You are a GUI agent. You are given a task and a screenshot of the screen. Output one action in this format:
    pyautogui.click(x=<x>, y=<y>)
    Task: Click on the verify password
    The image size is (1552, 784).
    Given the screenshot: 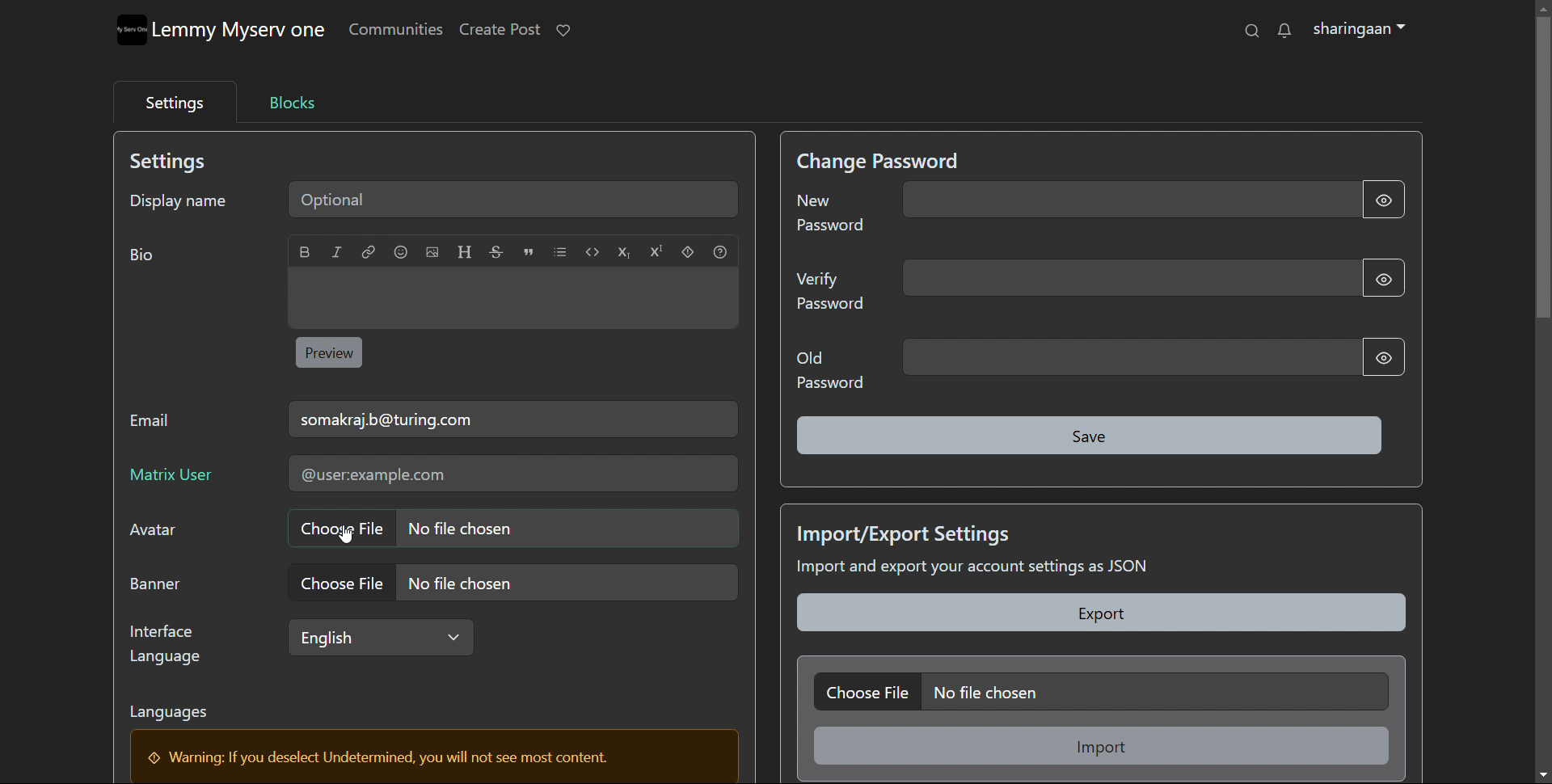 What is the action you would take?
    pyautogui.click(x=1128, y=278)
    